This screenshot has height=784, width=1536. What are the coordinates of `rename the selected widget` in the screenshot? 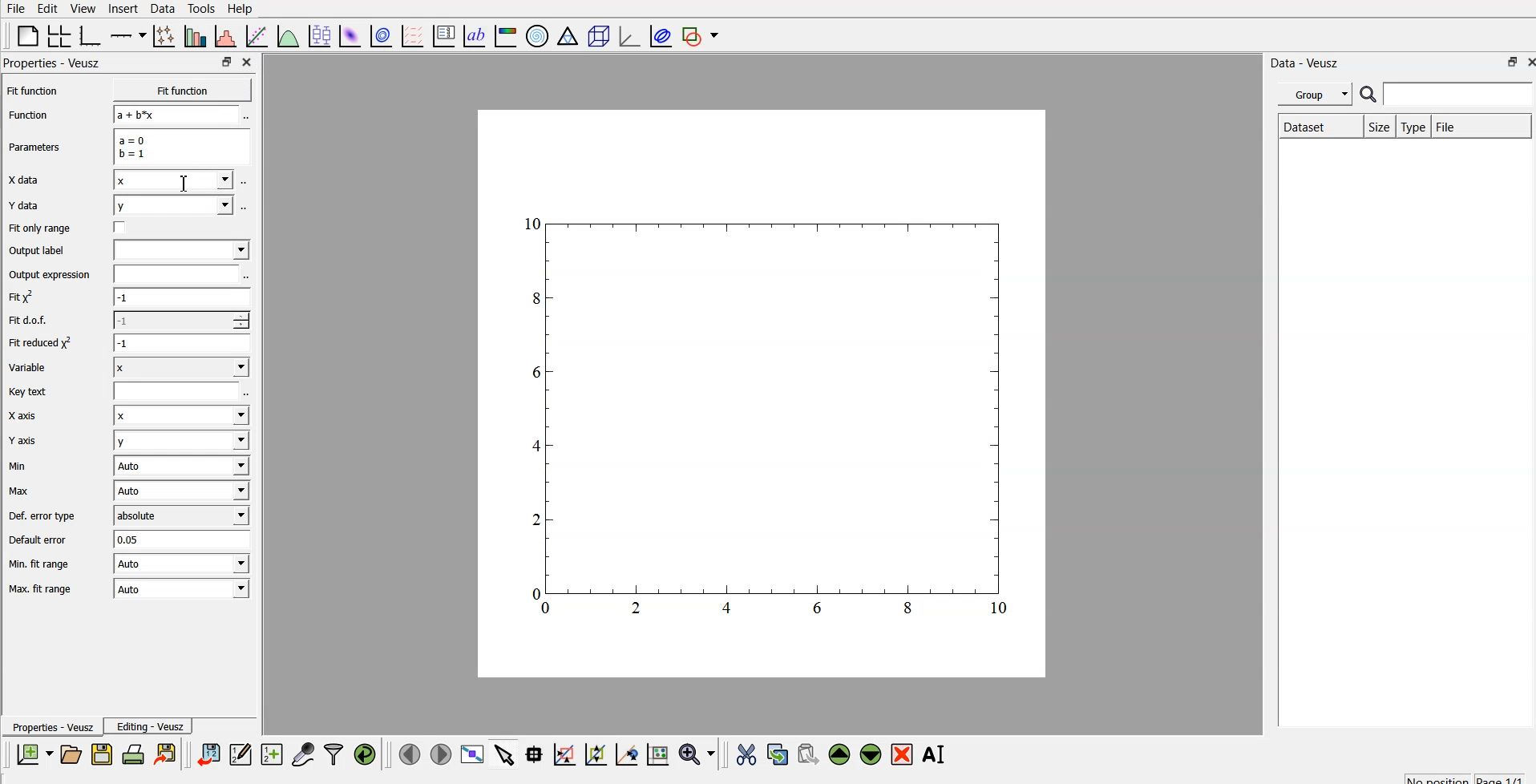 It's located at (938, 754).